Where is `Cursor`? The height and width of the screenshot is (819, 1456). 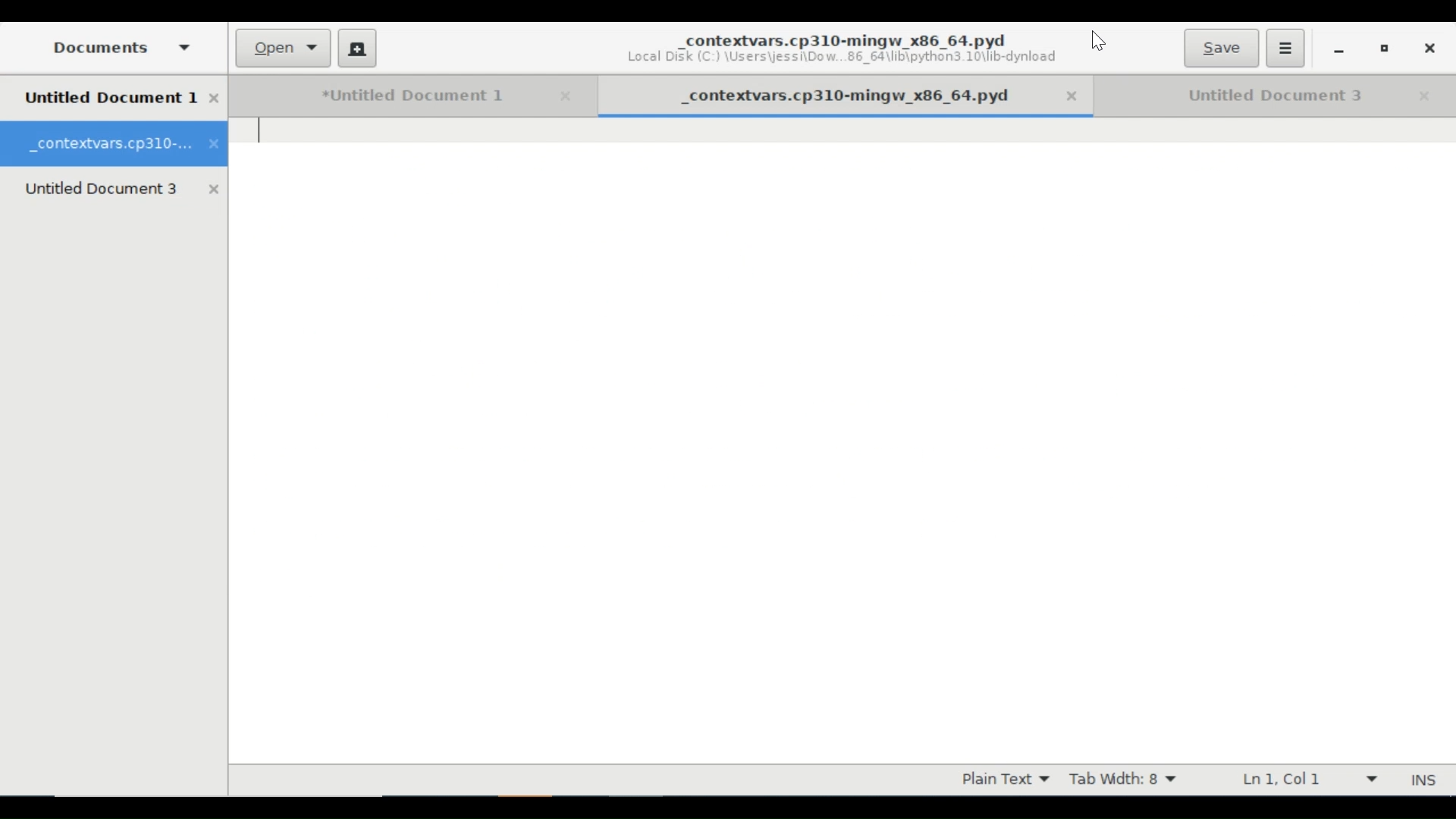
Cursor is located at coordinates (1098, 42).